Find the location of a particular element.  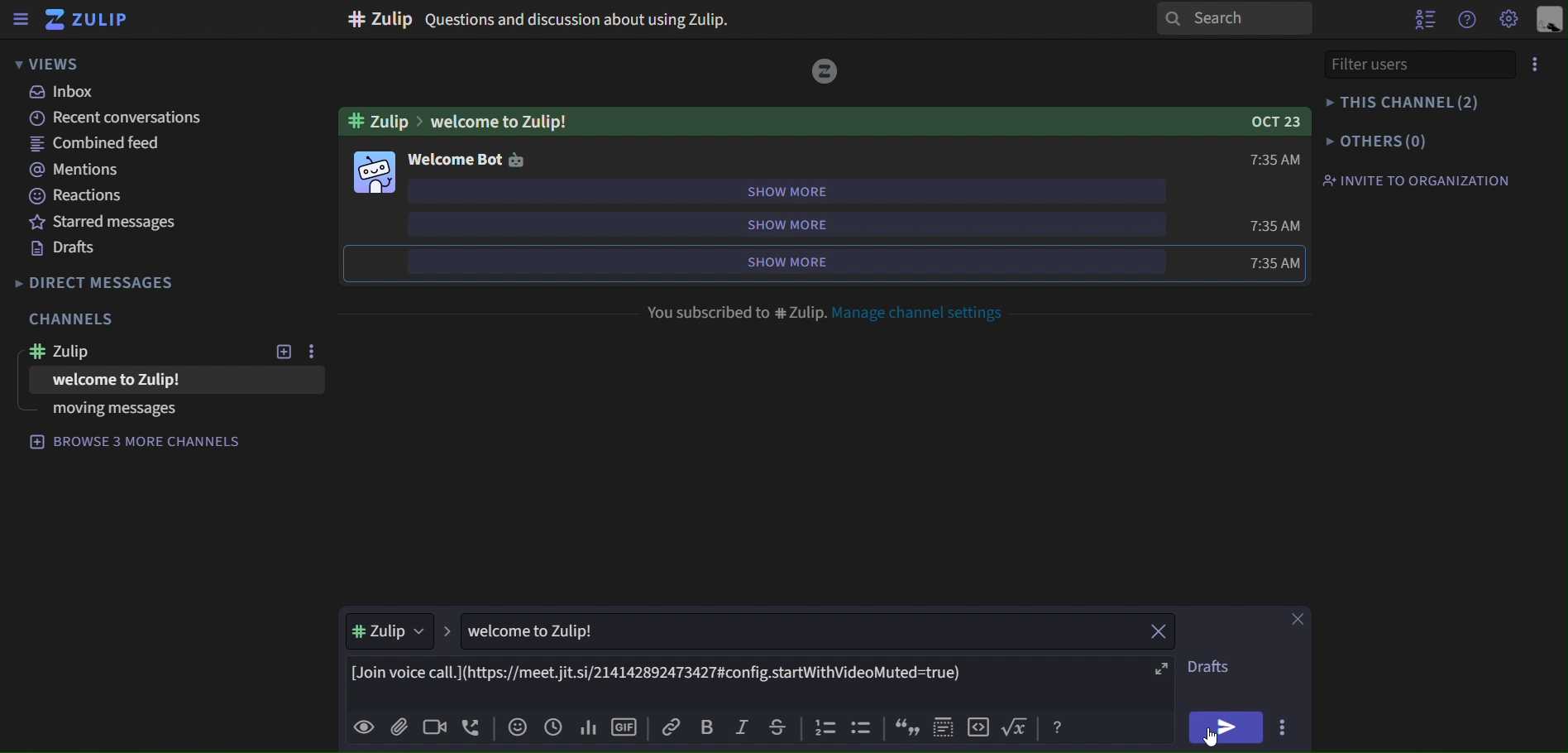

Oct 23 is located at coordinates (1263, 121).